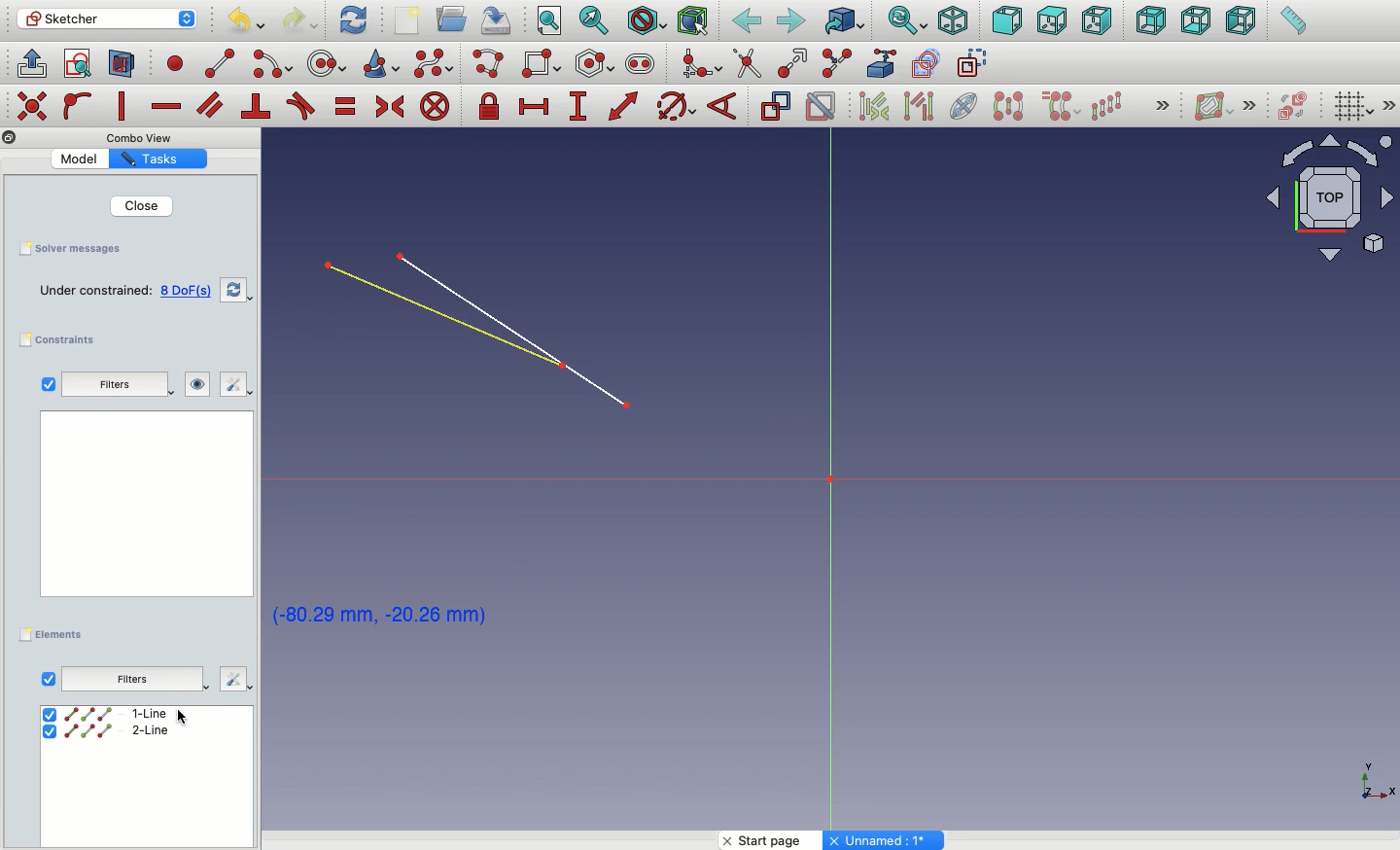  What do you see at coordinates (1389, 105) in the screenshot?
I see `` at bounding box center [1389, 105].